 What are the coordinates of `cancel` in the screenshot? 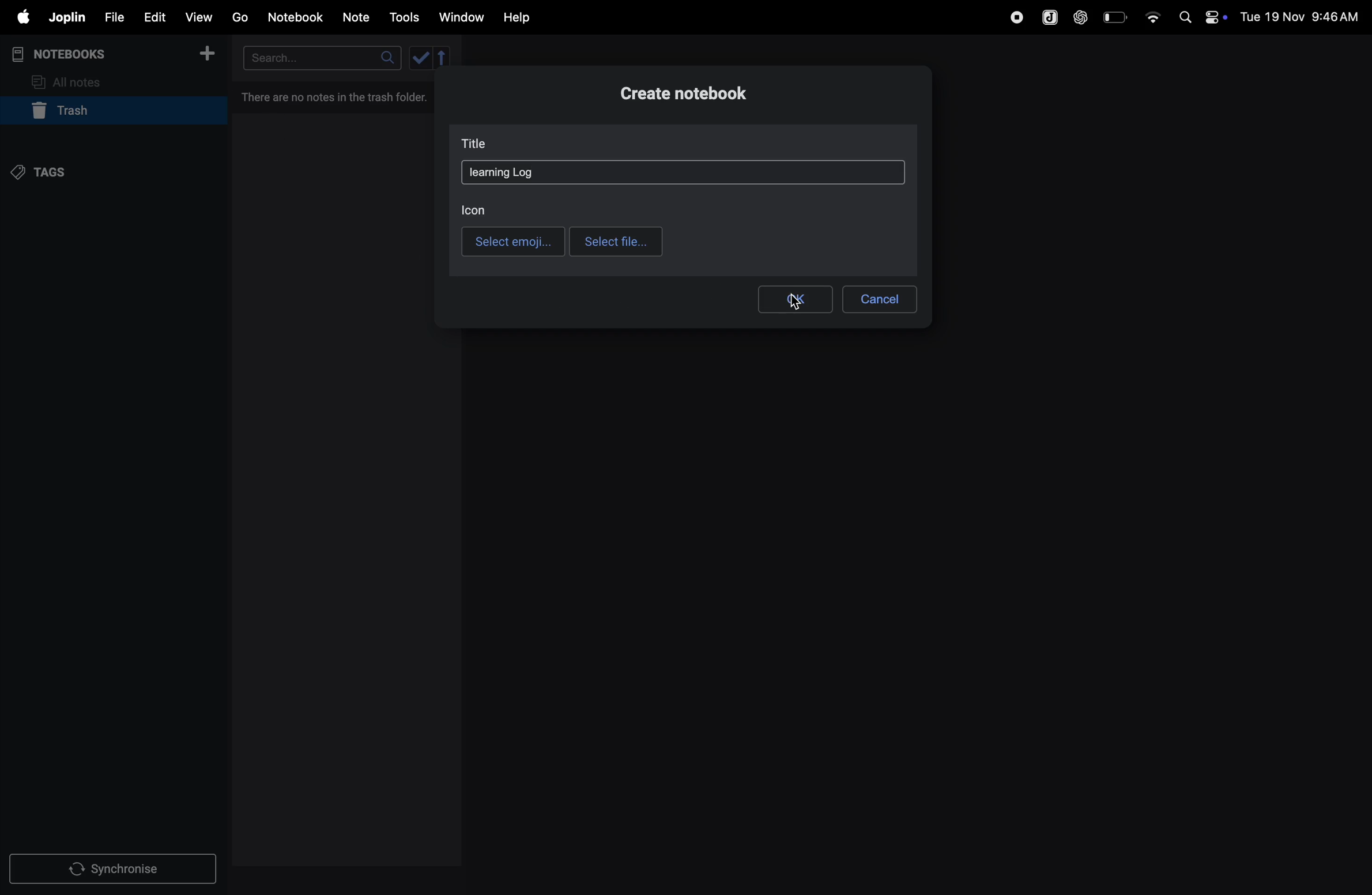 It's located at (879, 296).